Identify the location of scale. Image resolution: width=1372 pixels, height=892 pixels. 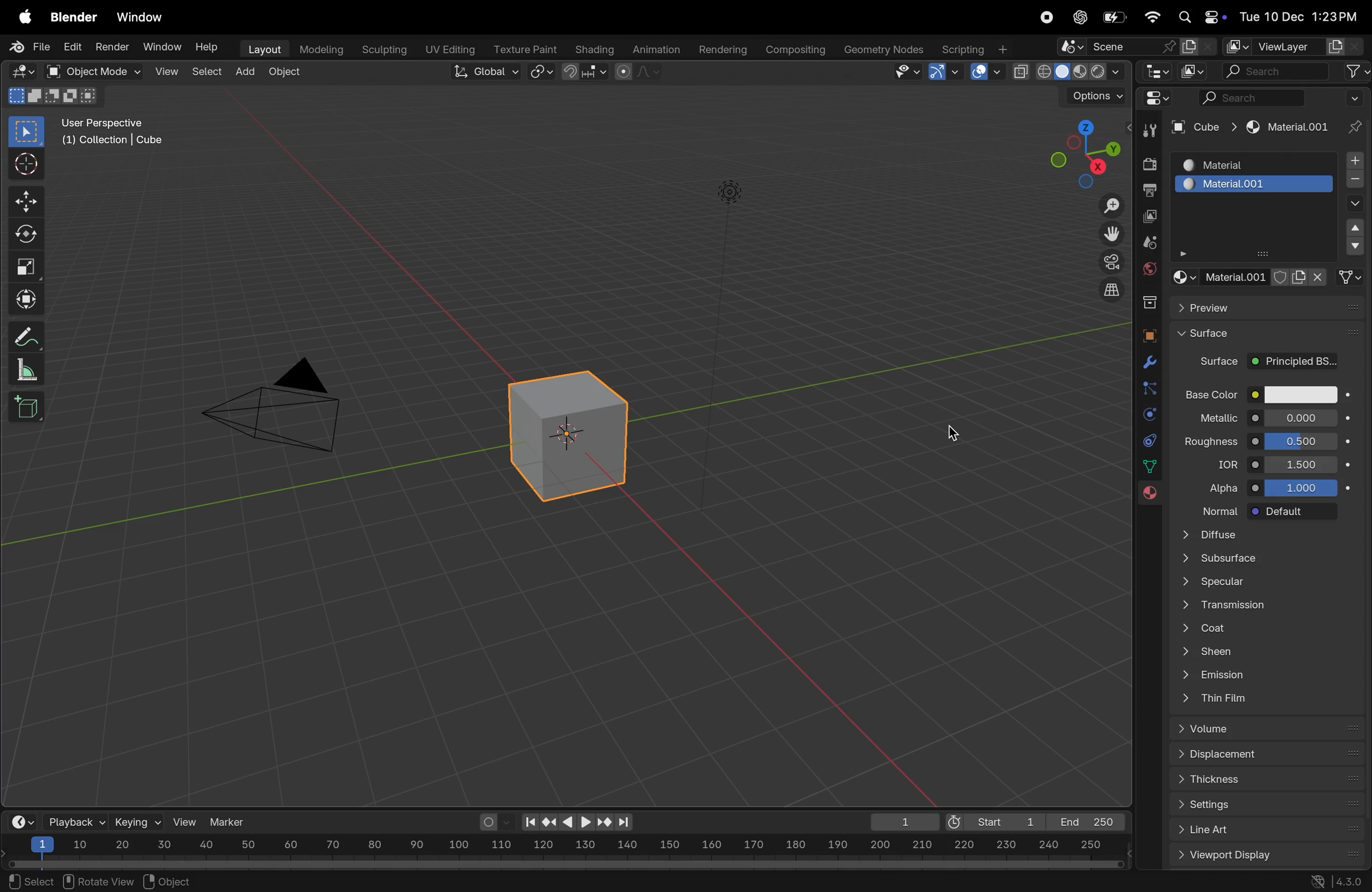
(24, 263).